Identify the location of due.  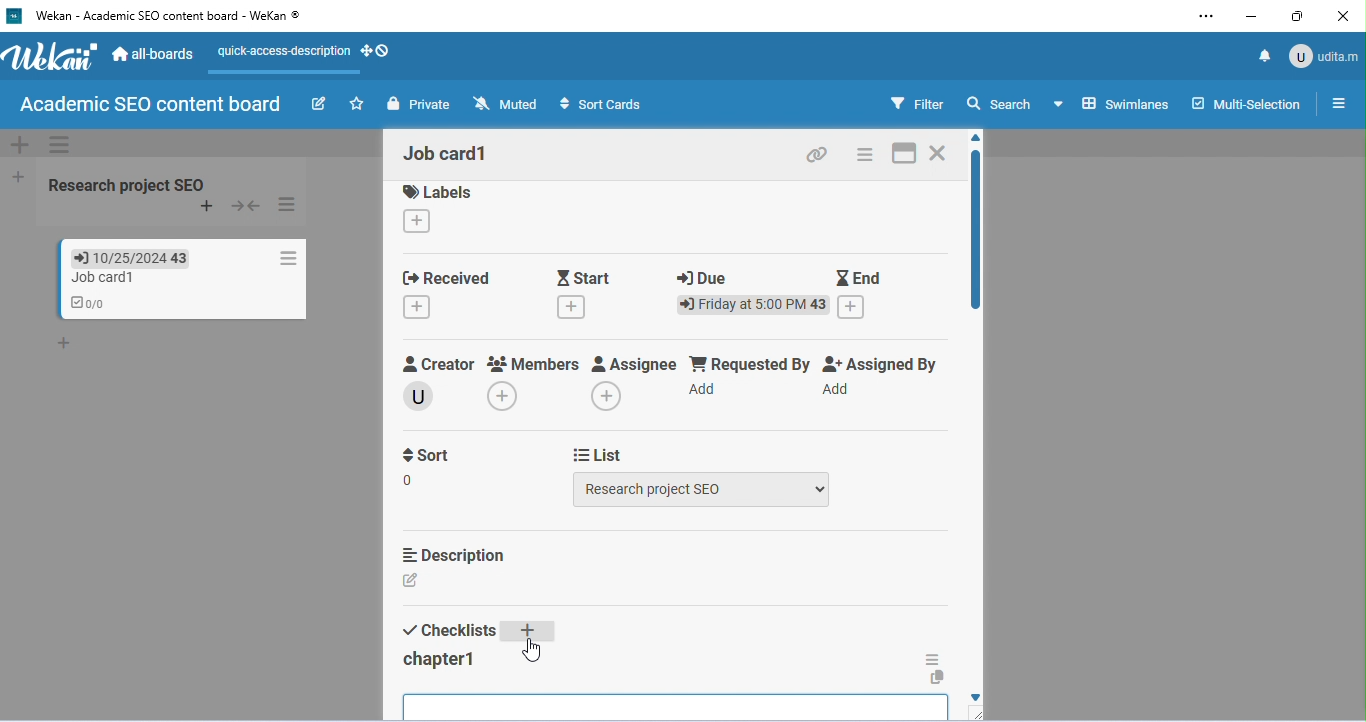
(704, 275).